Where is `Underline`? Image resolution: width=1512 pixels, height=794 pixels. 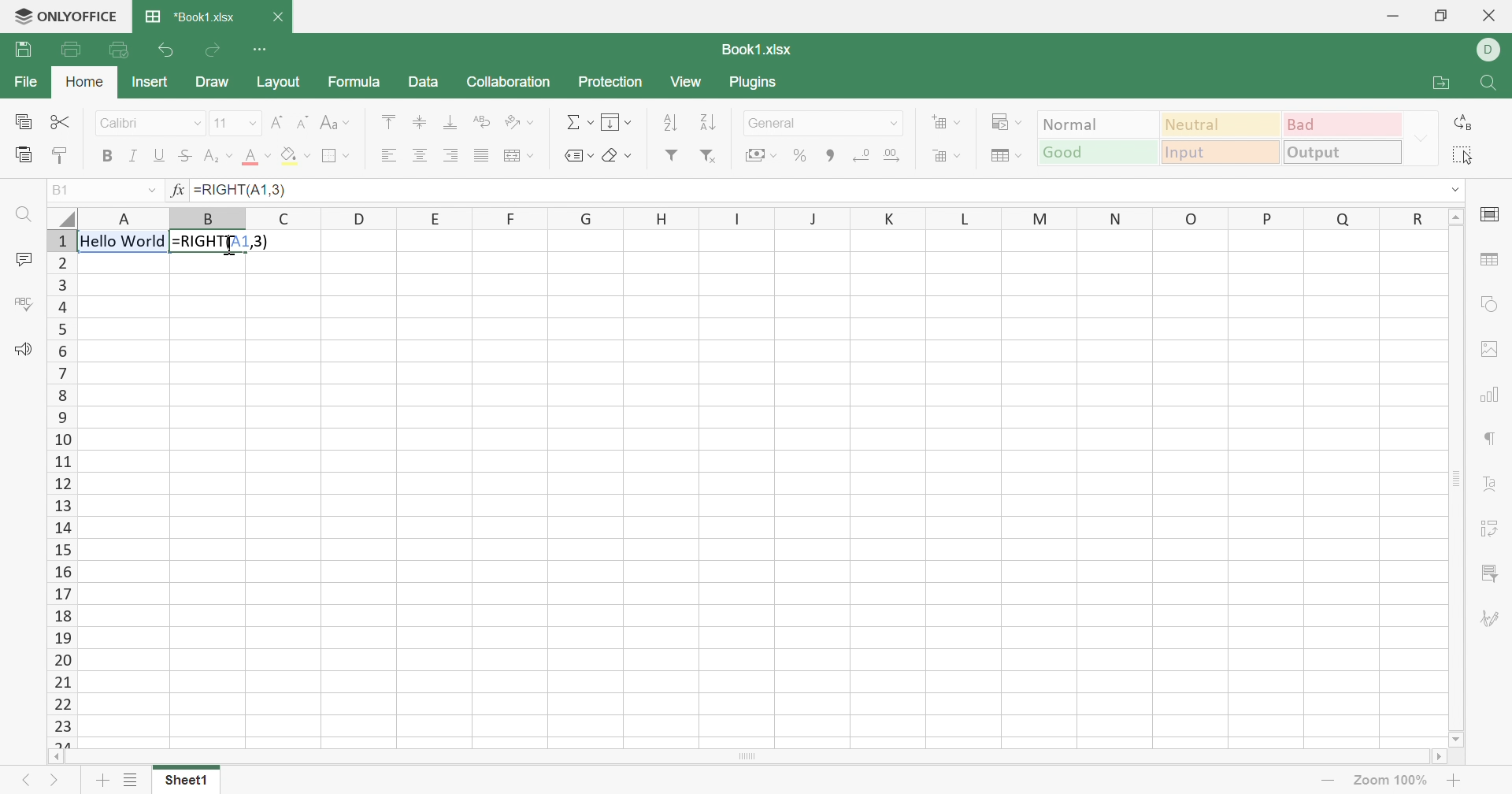 Underline is located at coordinates (158, 155).